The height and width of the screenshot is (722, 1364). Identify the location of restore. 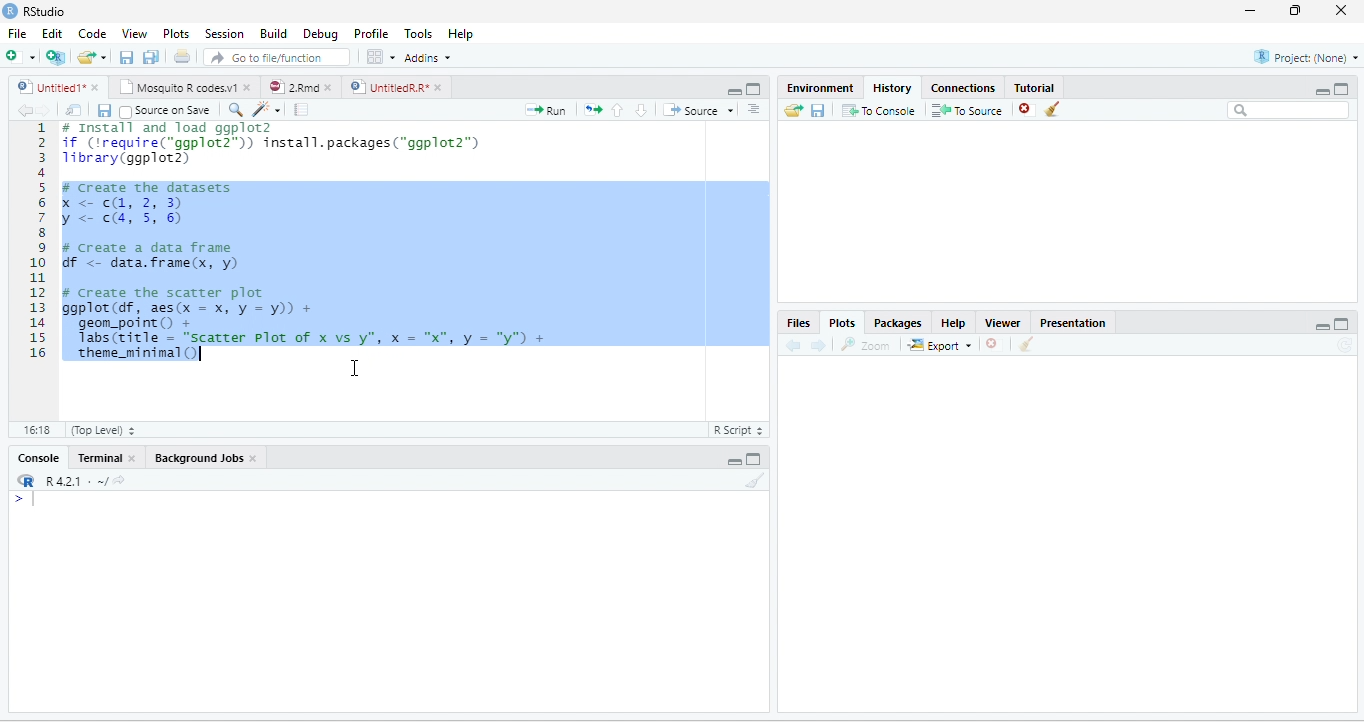
(1297, 11).